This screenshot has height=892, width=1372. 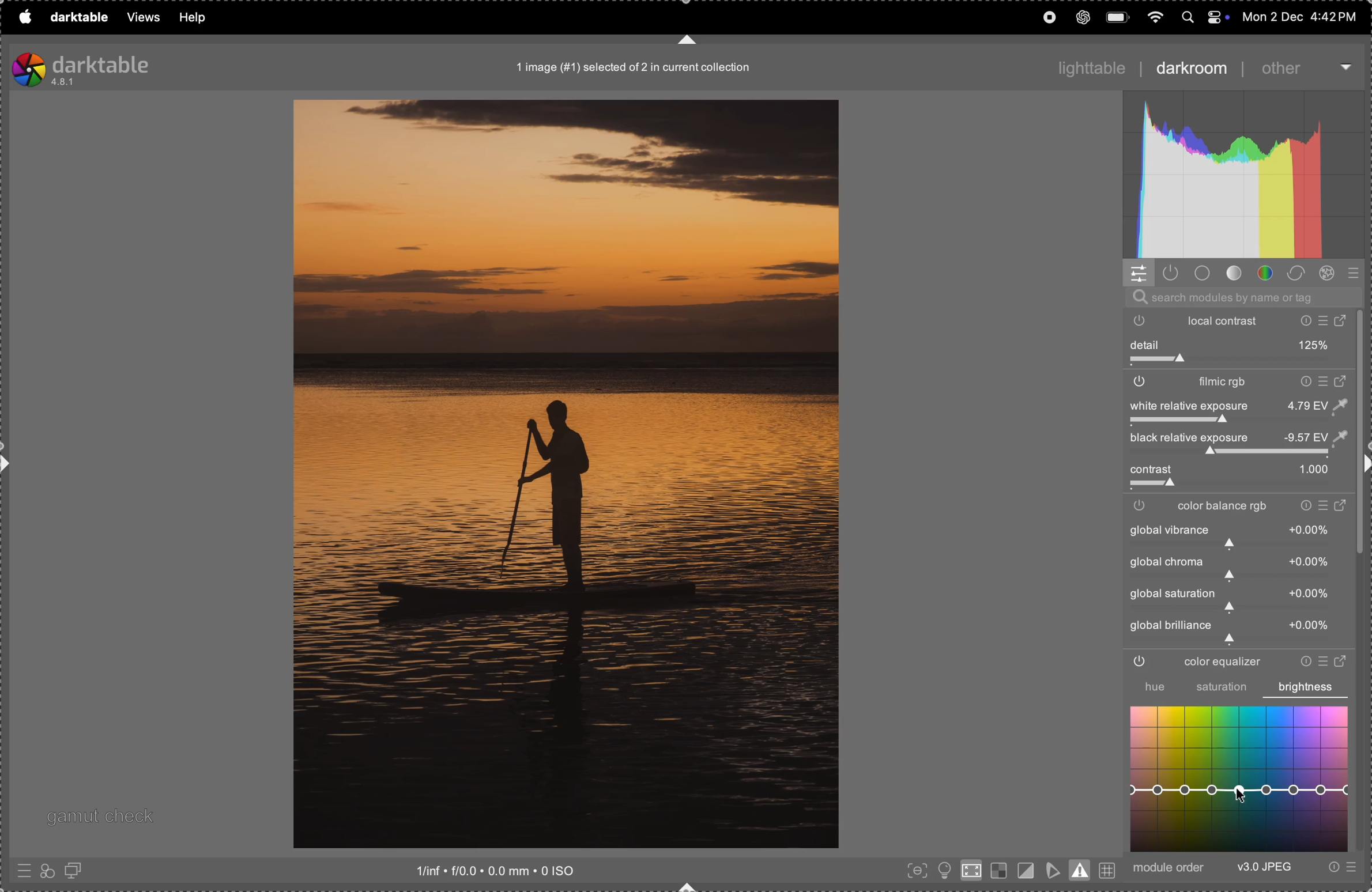 What do you see at coordinates (1243, 320) in the screenshot?
I see `local contrast` at bounding box center [1243, 320].